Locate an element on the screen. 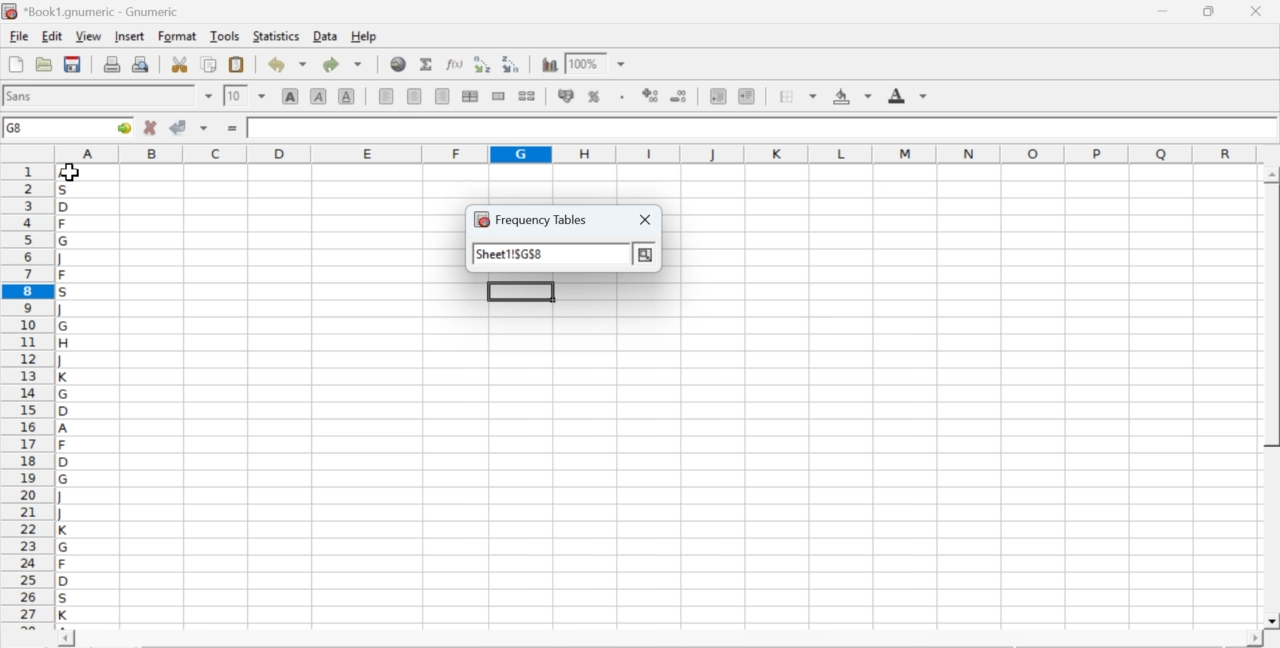 Image resolution: width=1280 pixels, height=648 pixels. format is located at coordinates (178, 36).